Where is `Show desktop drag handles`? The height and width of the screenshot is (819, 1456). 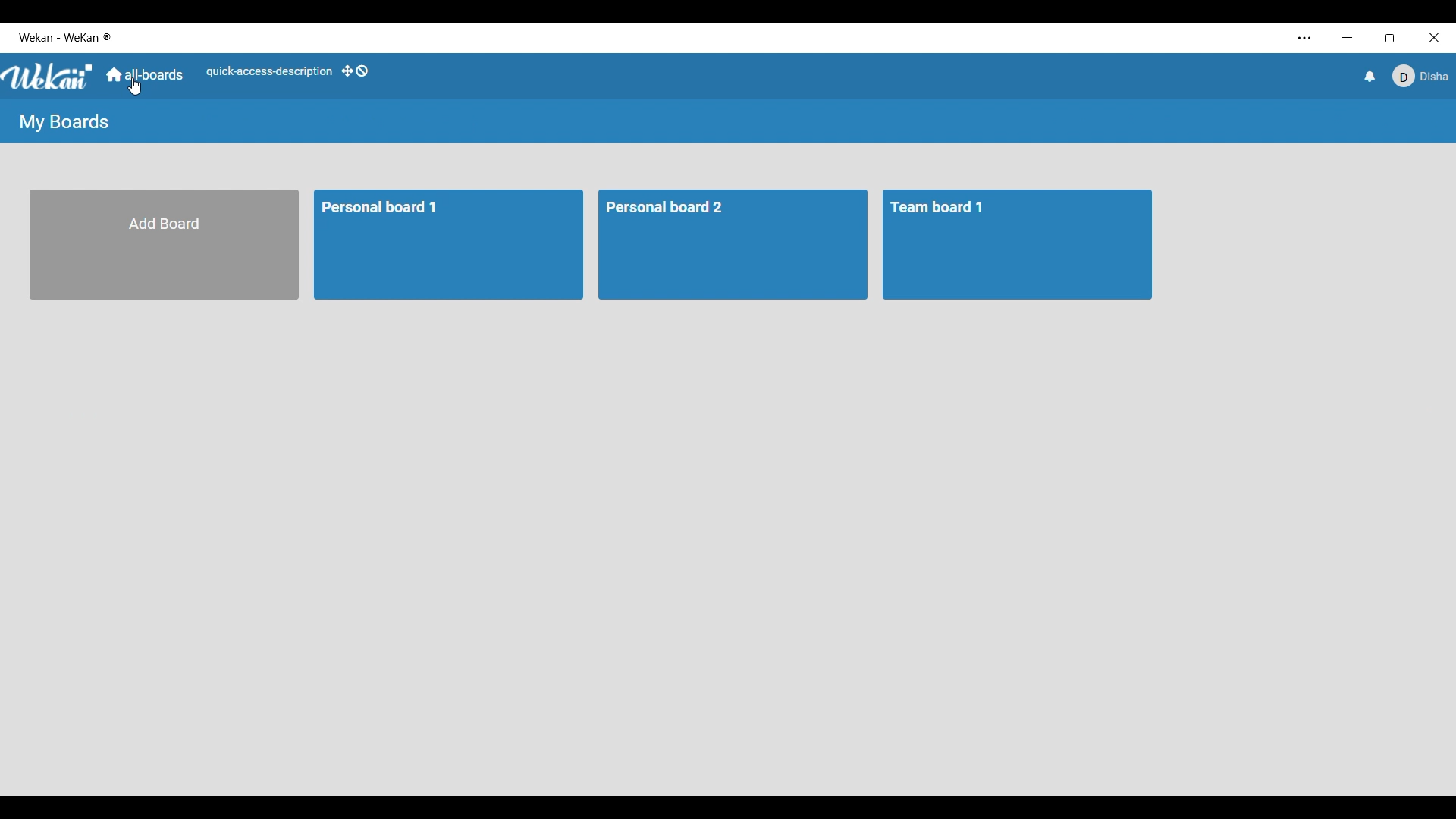 Show desktop drag handles is located at coordinates (355, 71).